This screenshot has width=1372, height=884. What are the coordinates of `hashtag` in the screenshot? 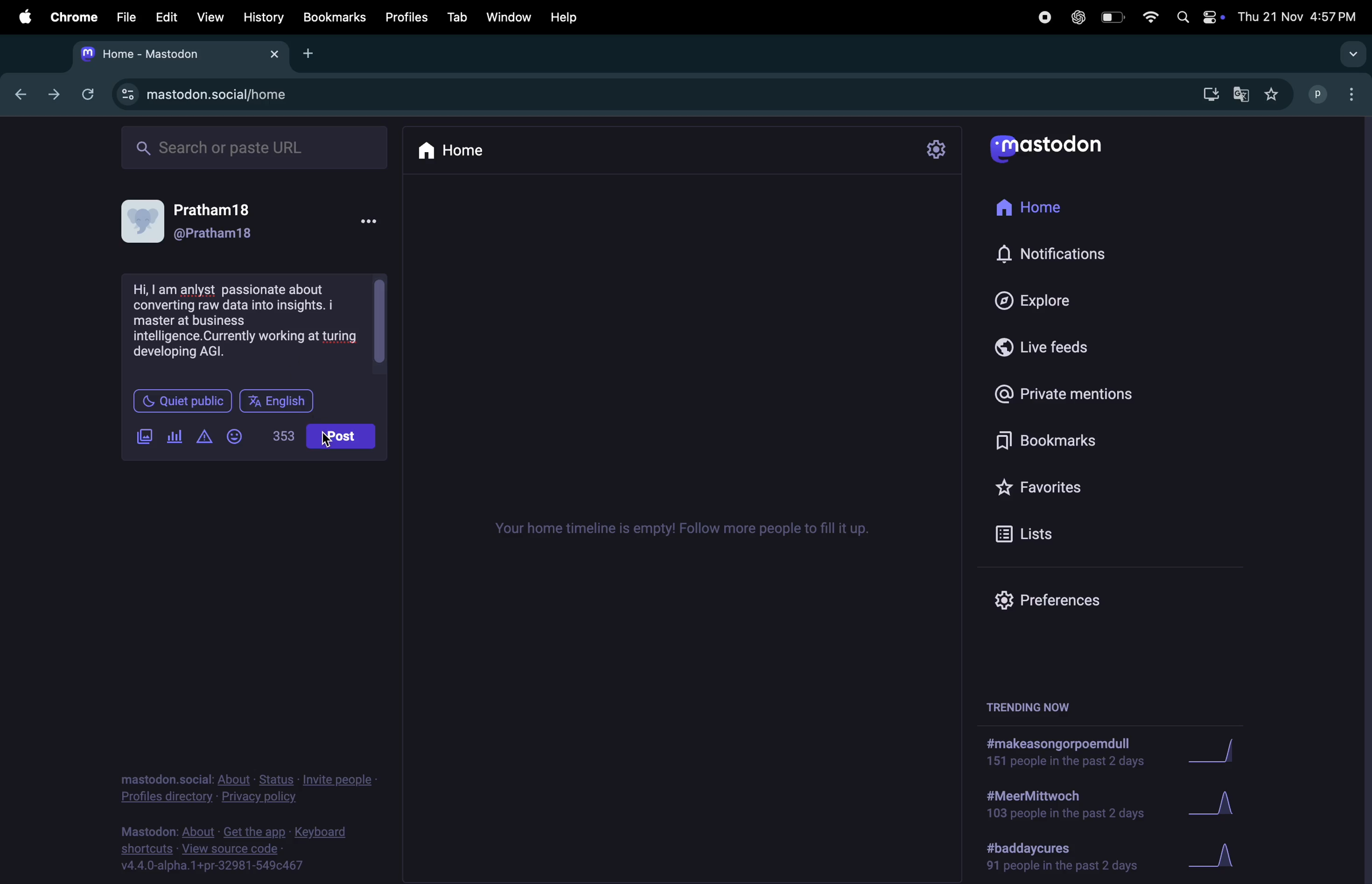 It's located at (1055, 754).